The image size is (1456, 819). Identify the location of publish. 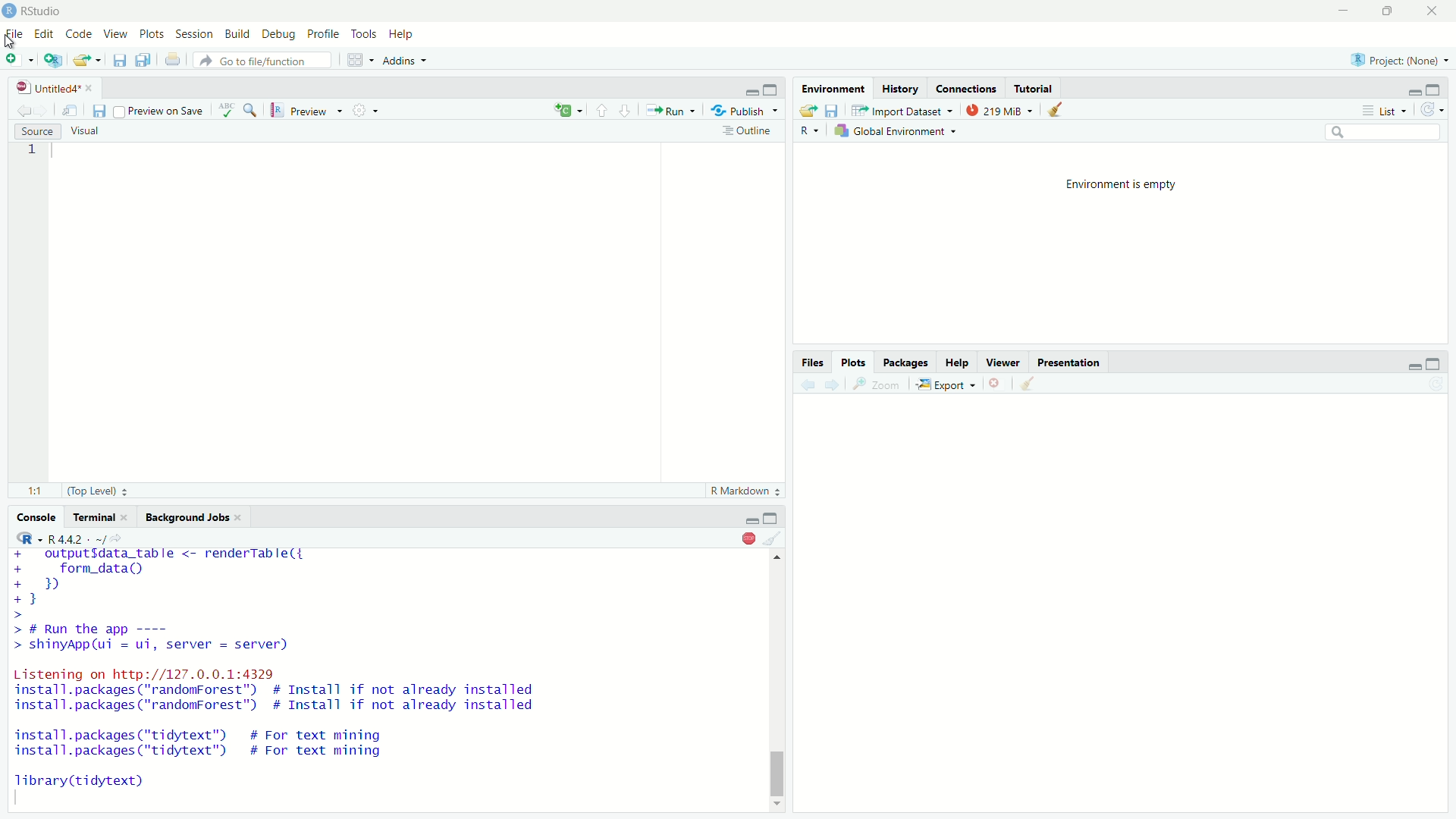
(745, 111).